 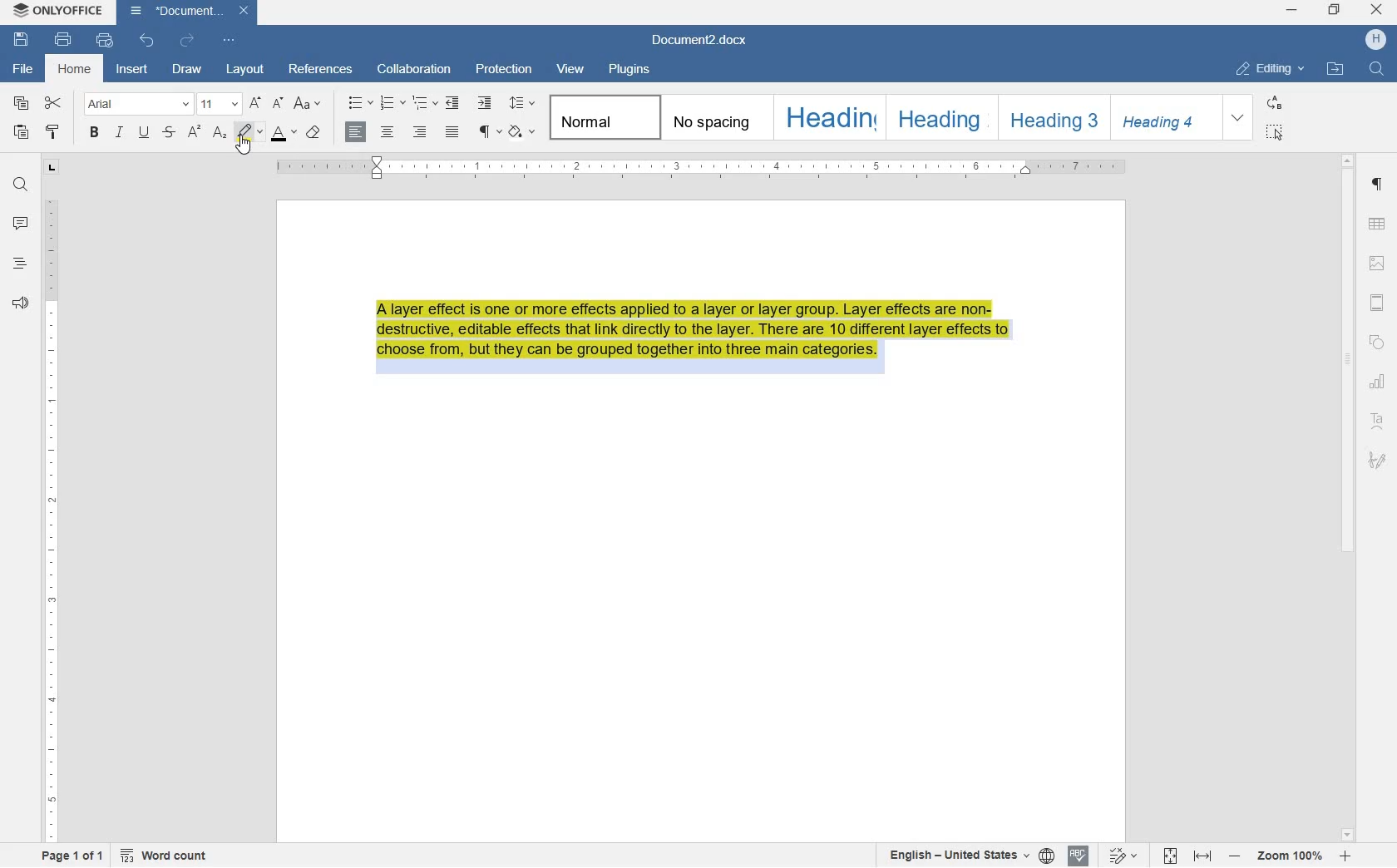 I want to click on PARAGRAPH LINE SPACING, so click(x=522, y=104).